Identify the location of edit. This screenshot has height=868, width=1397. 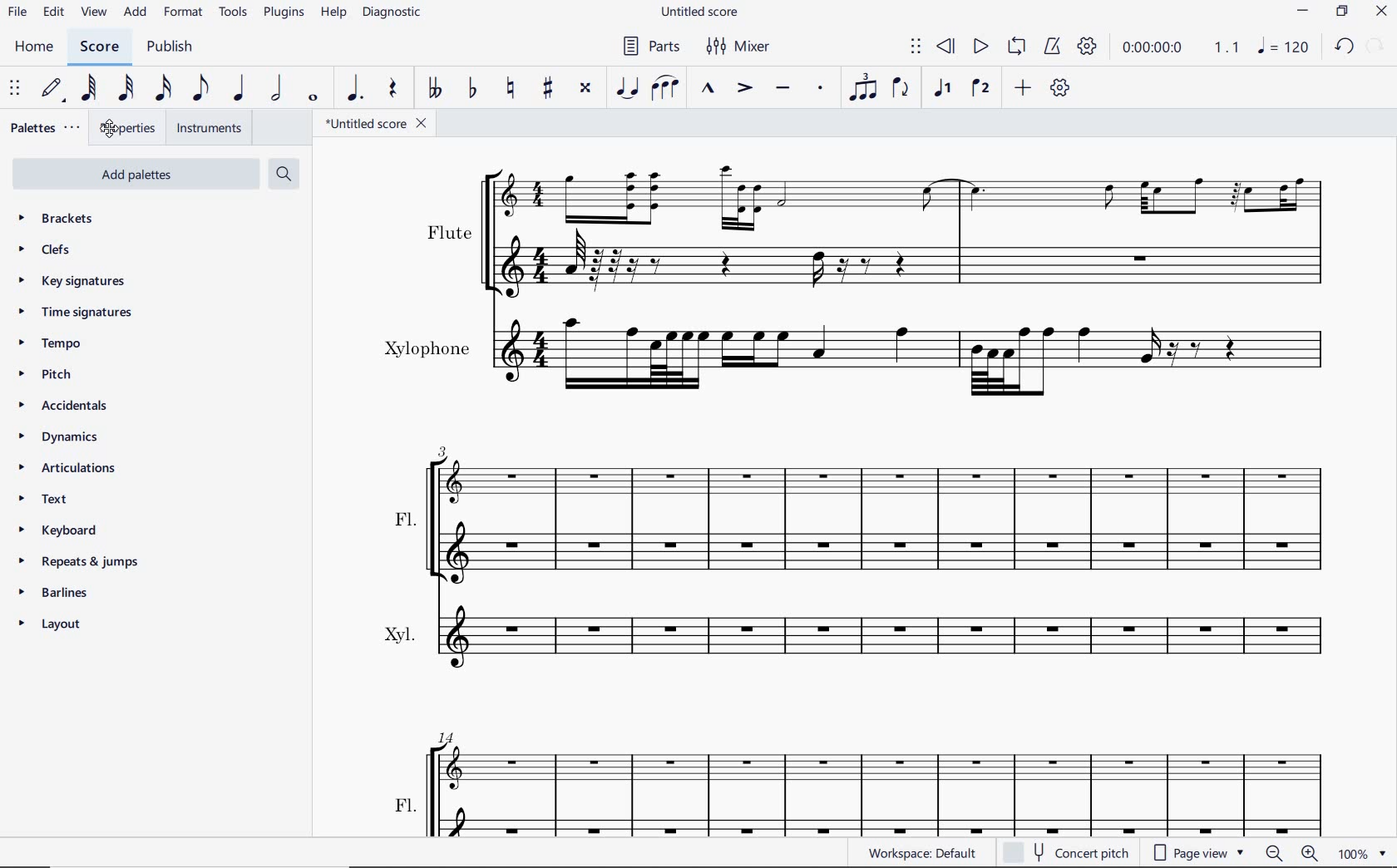
(53, 13).